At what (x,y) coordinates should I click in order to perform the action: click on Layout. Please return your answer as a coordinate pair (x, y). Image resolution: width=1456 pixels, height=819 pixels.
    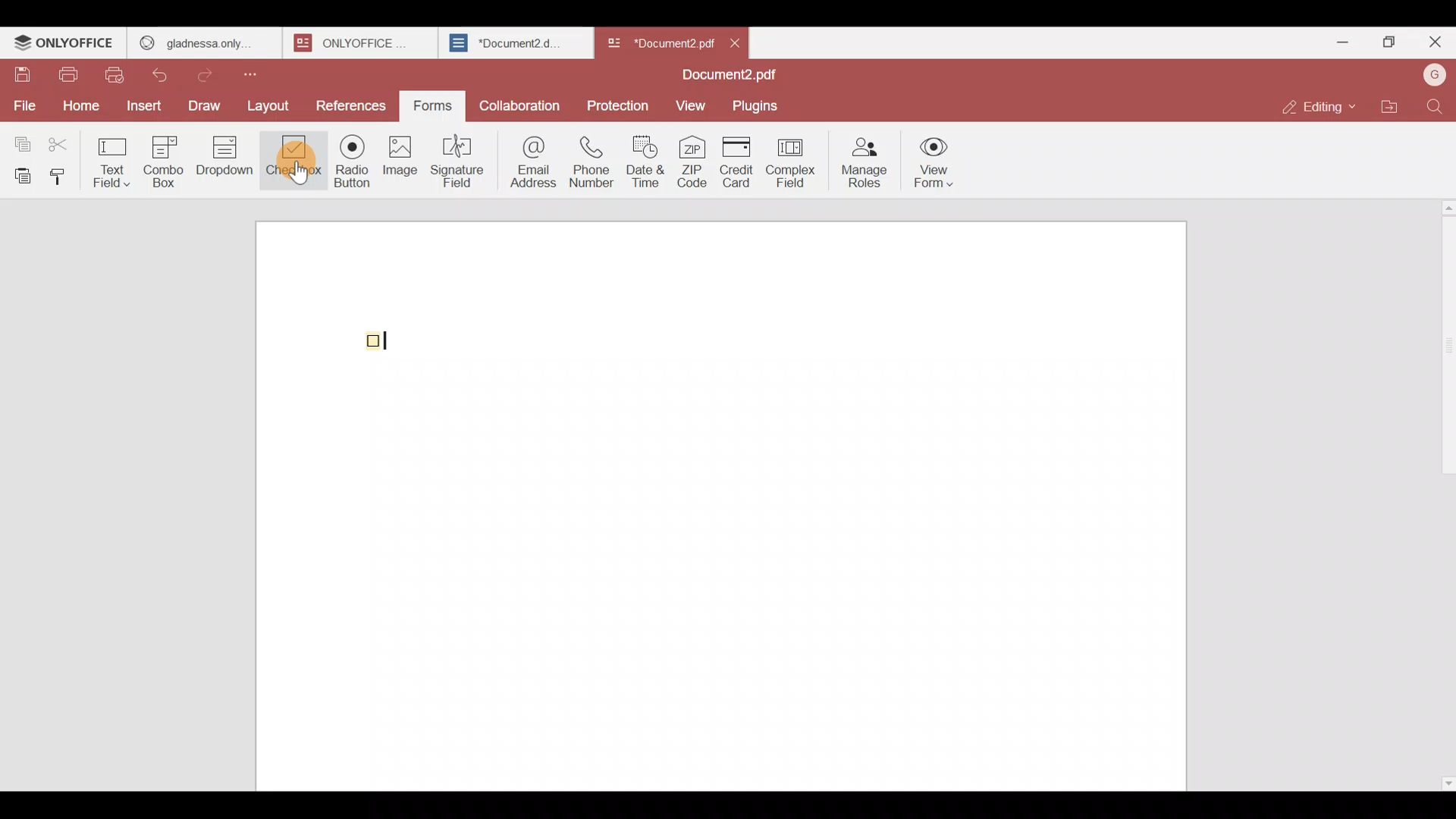
    Looking at the image, I should click on (275, 104).